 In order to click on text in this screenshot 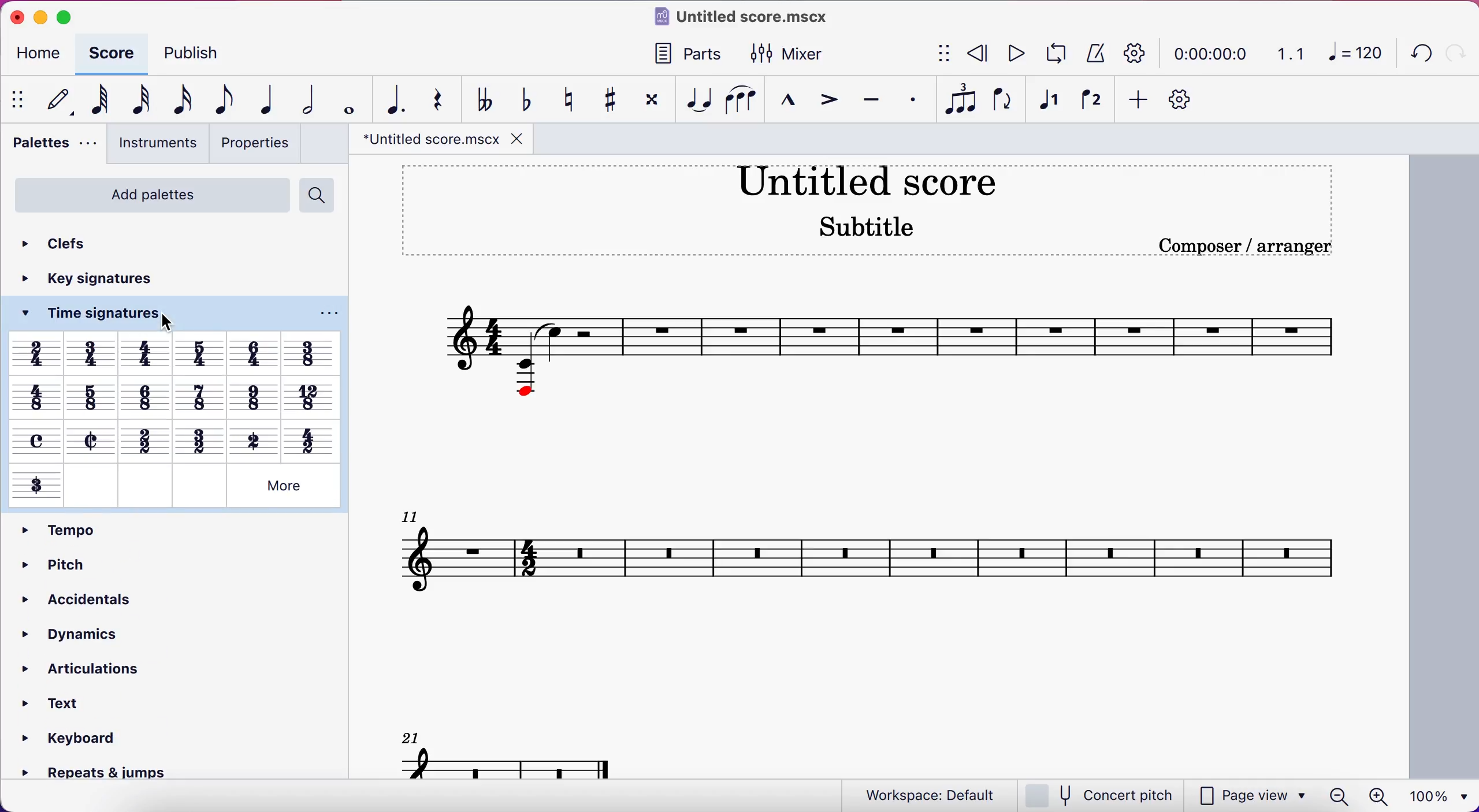, I will do `click(64, 705)`.